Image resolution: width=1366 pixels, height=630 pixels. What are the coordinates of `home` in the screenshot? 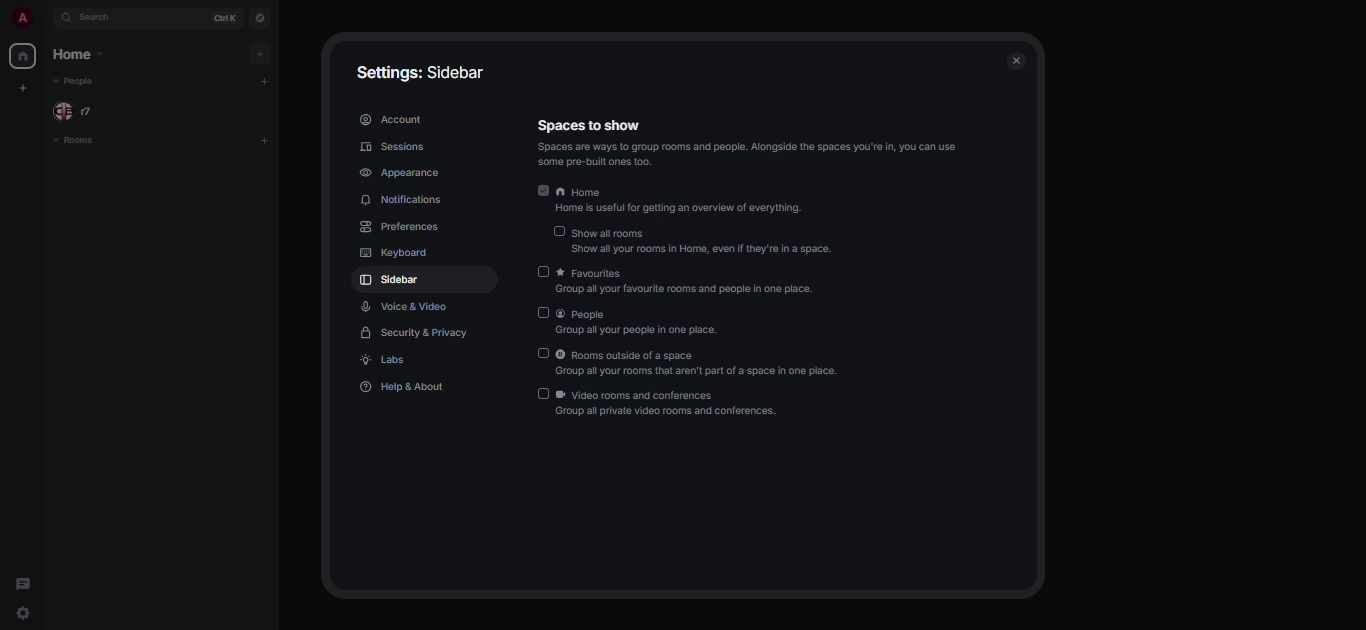 It's located at (77, 55).